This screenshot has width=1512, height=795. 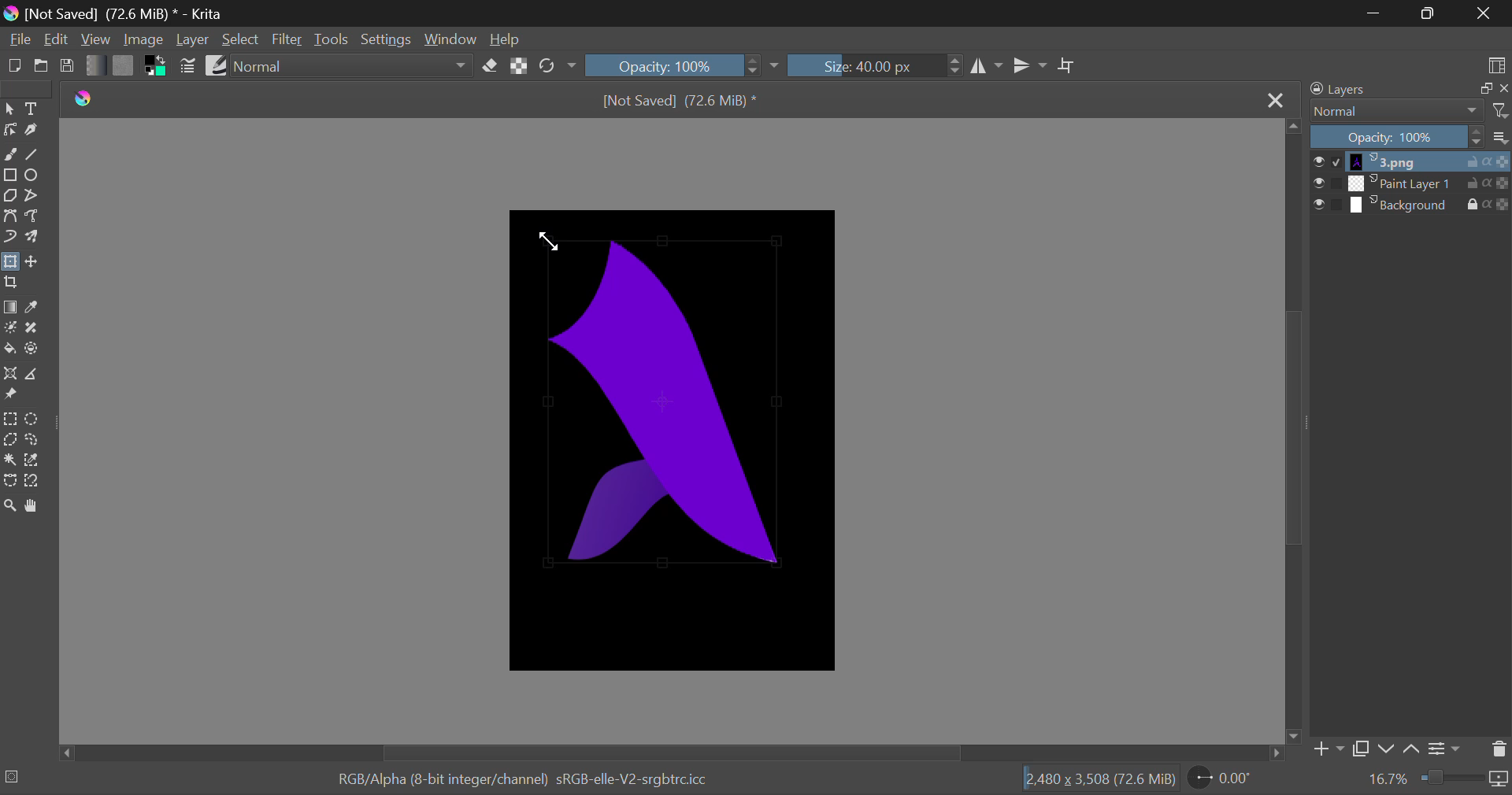 I want to click on [Not Saved] (71.4 MiB) * - Krita, so click(x=126, y=13).